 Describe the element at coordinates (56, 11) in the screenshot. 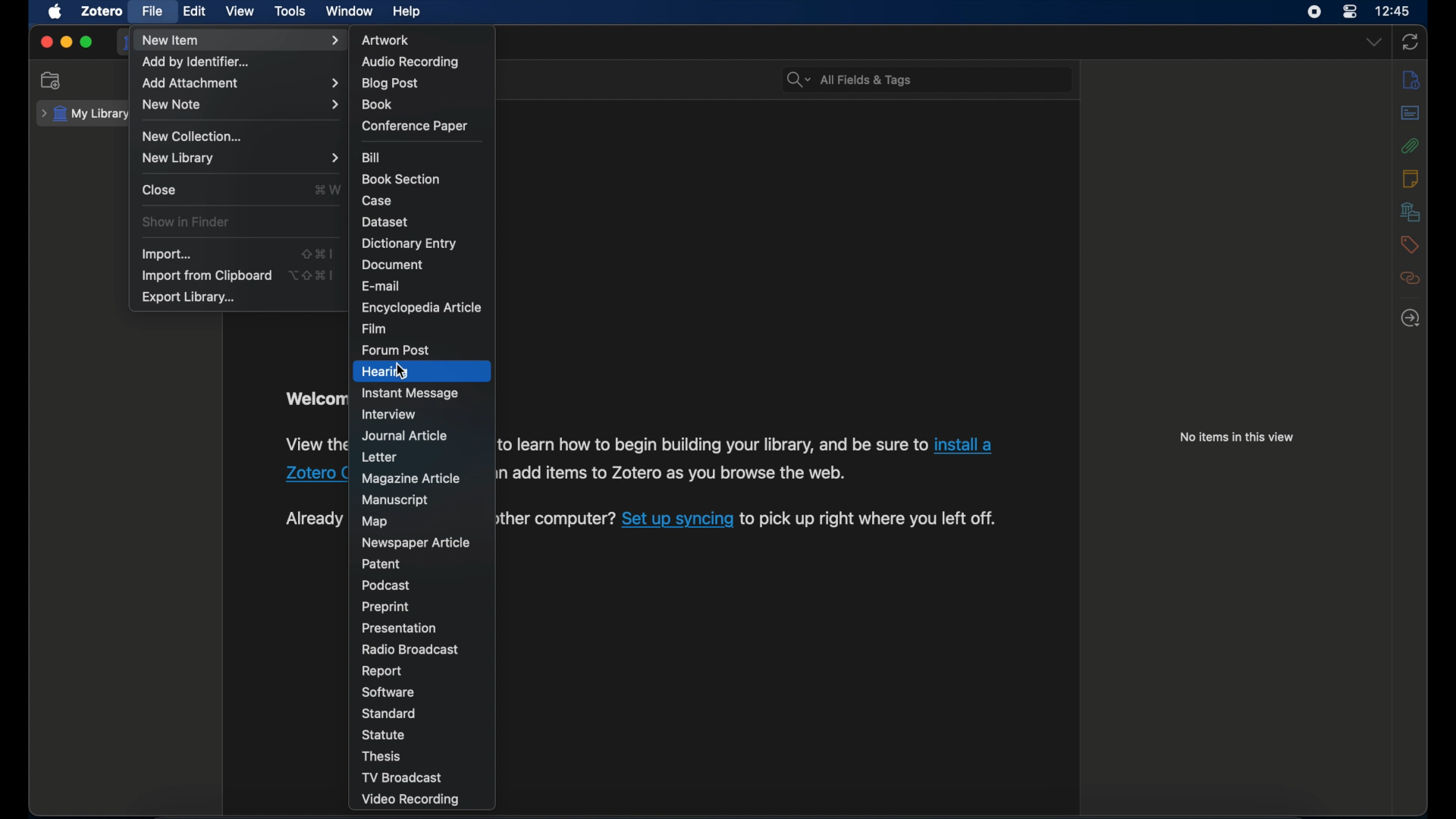

I see `apple` at that location.